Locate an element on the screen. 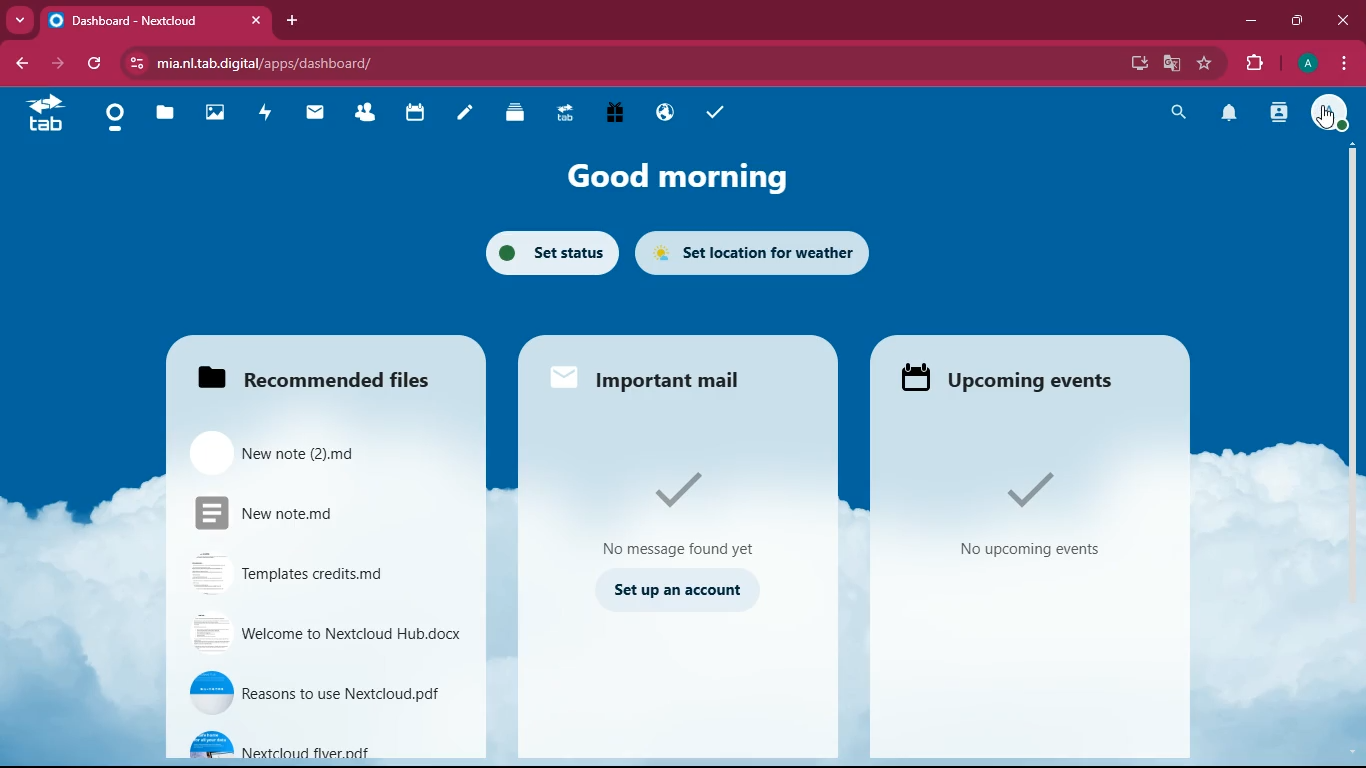 Image resolution: width=1366 pixels, height=768 pixels. public is located at coordinates (663, 114).